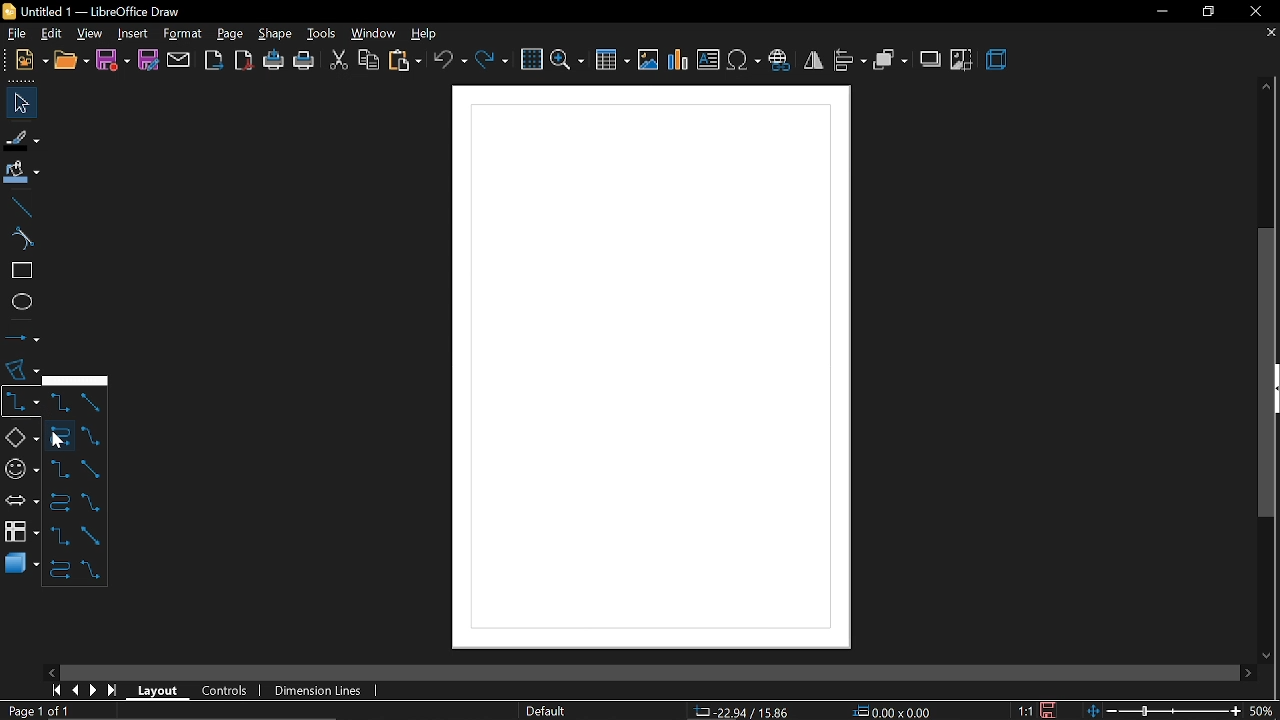  I want to click on straight connector with arrow, so click(58, 534).